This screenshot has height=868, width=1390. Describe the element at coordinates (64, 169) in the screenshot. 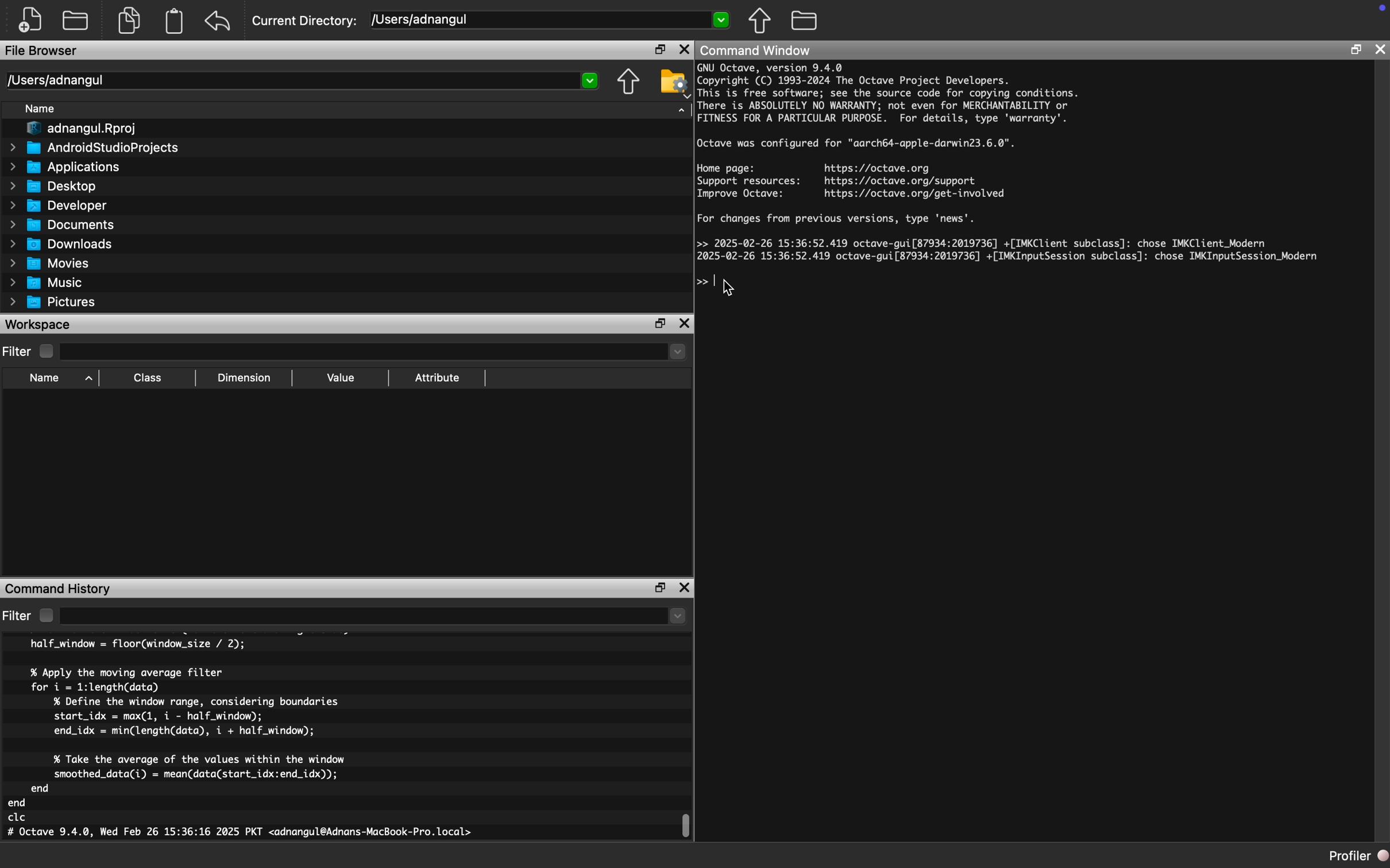

I see `Applications` at that location.